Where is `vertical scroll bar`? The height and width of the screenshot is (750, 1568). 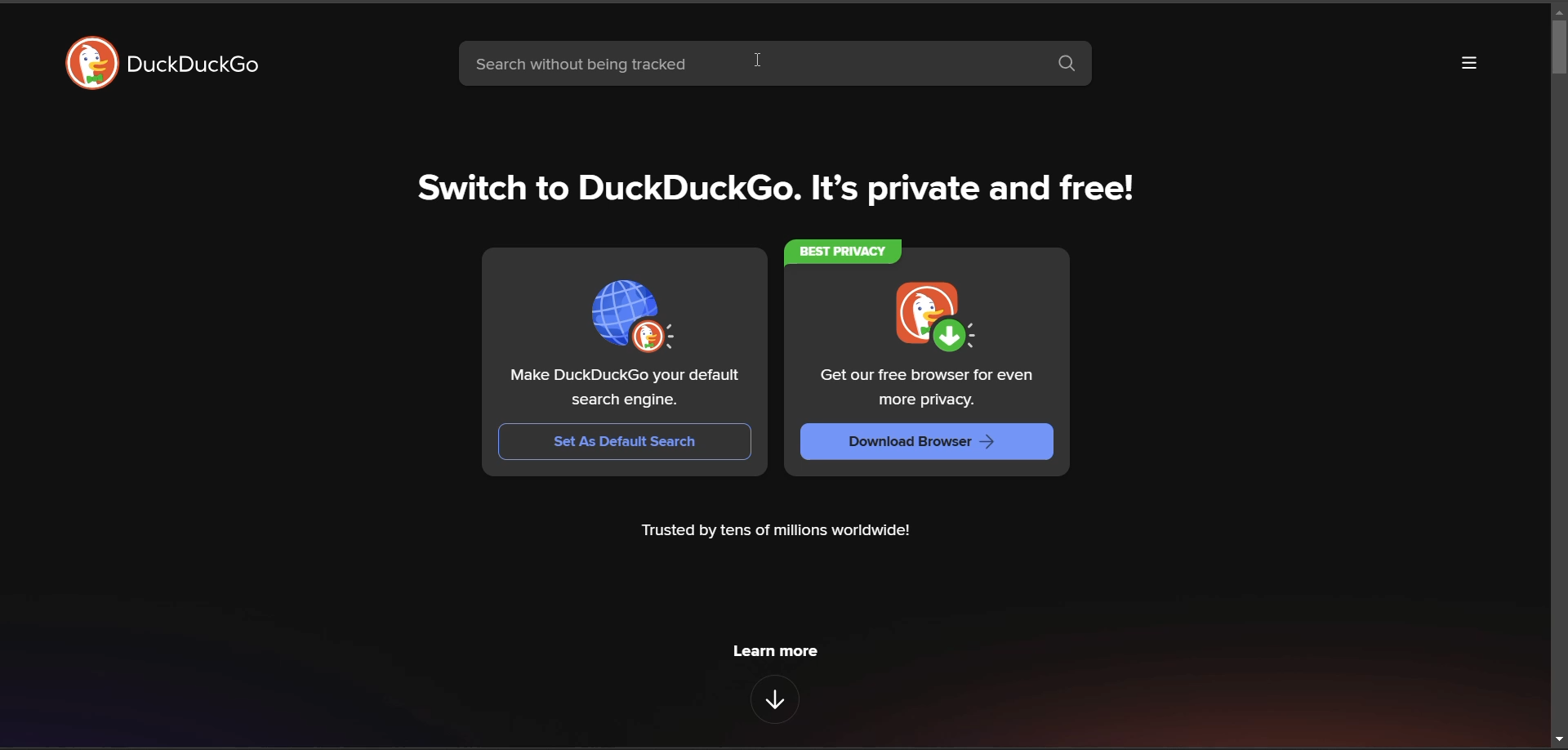
vertical scroll bar is located at coordinates (1552, 51).